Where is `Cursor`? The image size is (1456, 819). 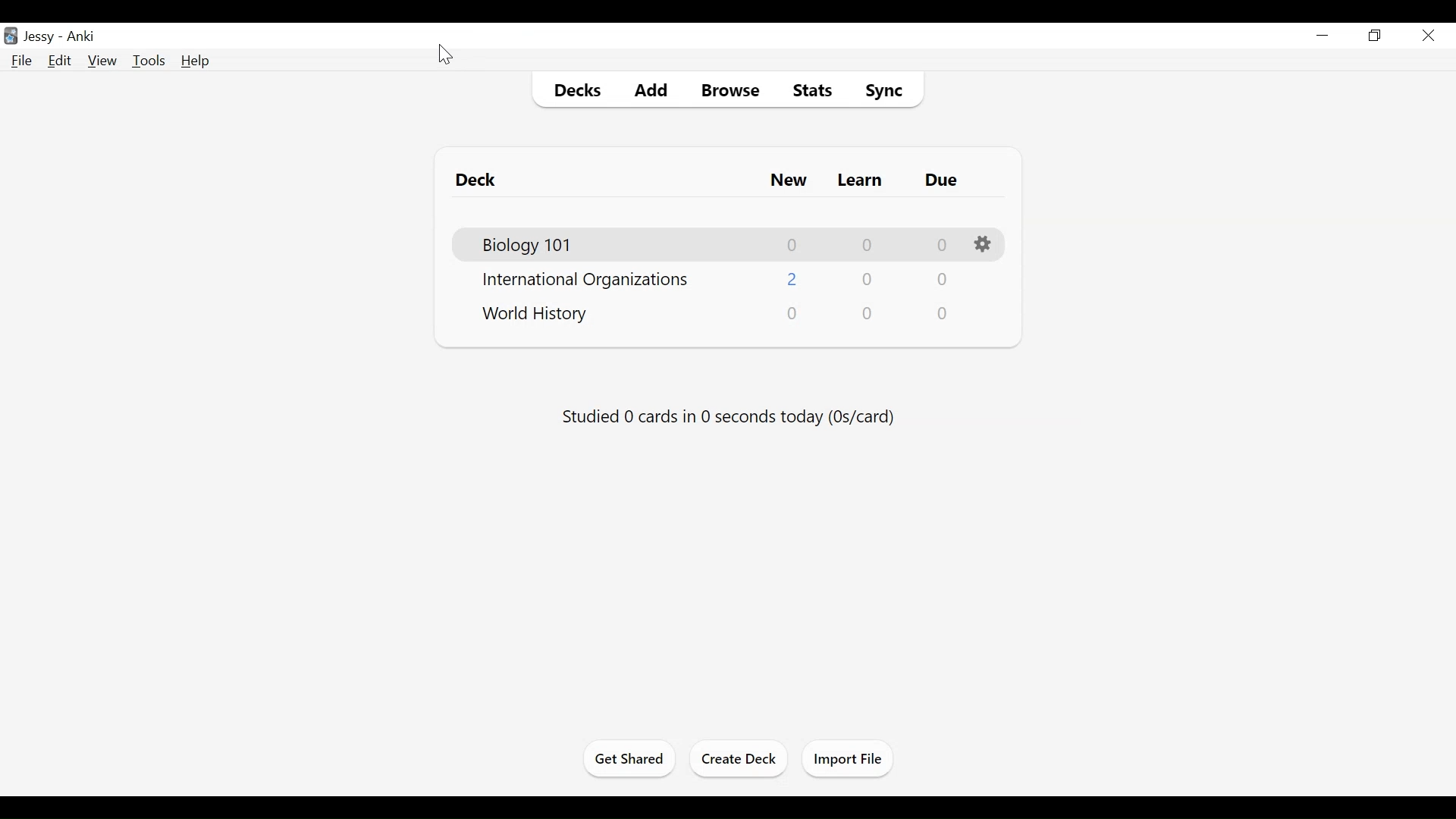
Cursor is located at coordinates (449, 55).